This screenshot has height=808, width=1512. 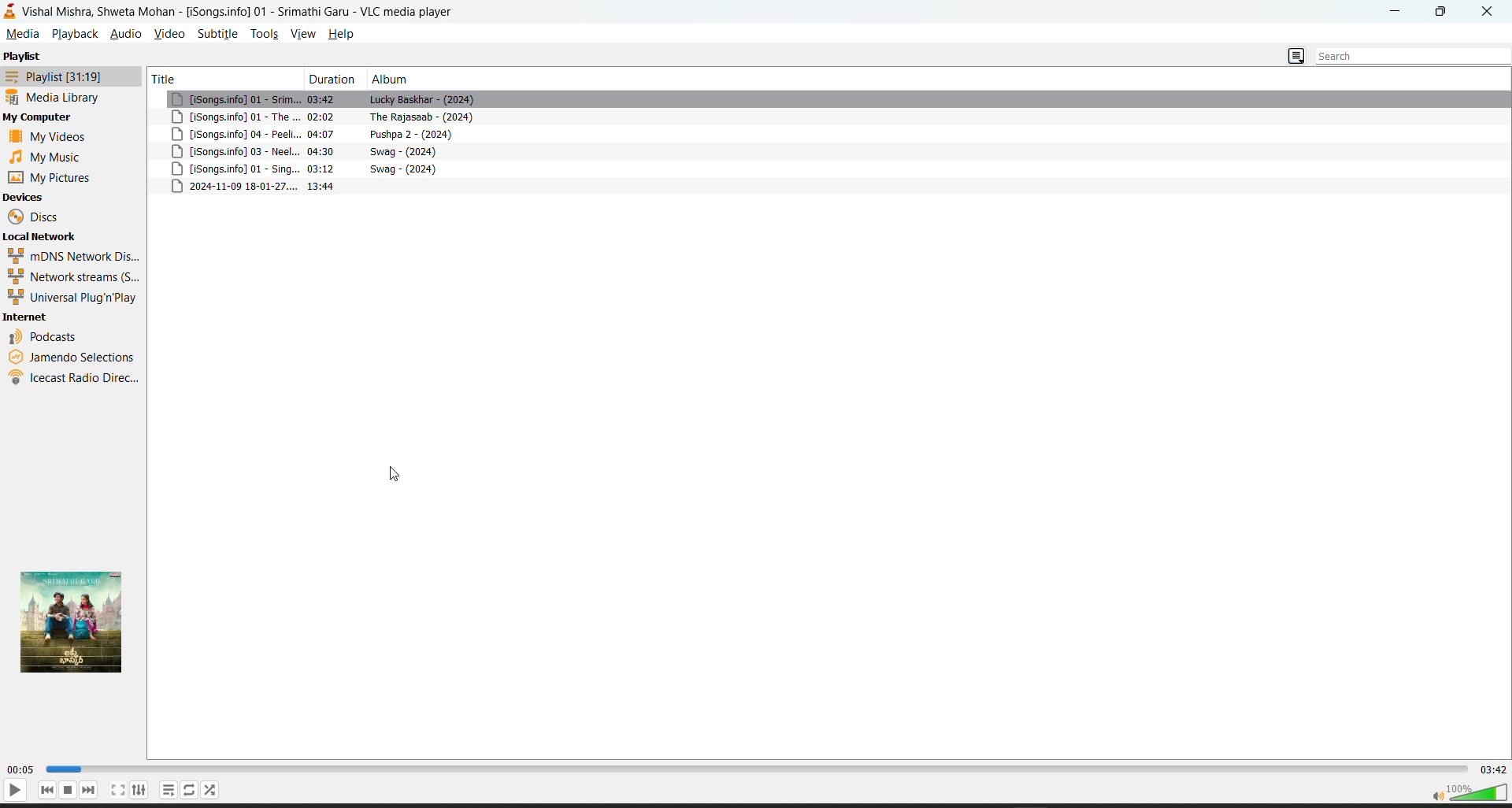 I want to click on Minimize, so click(x=1395, y=11).